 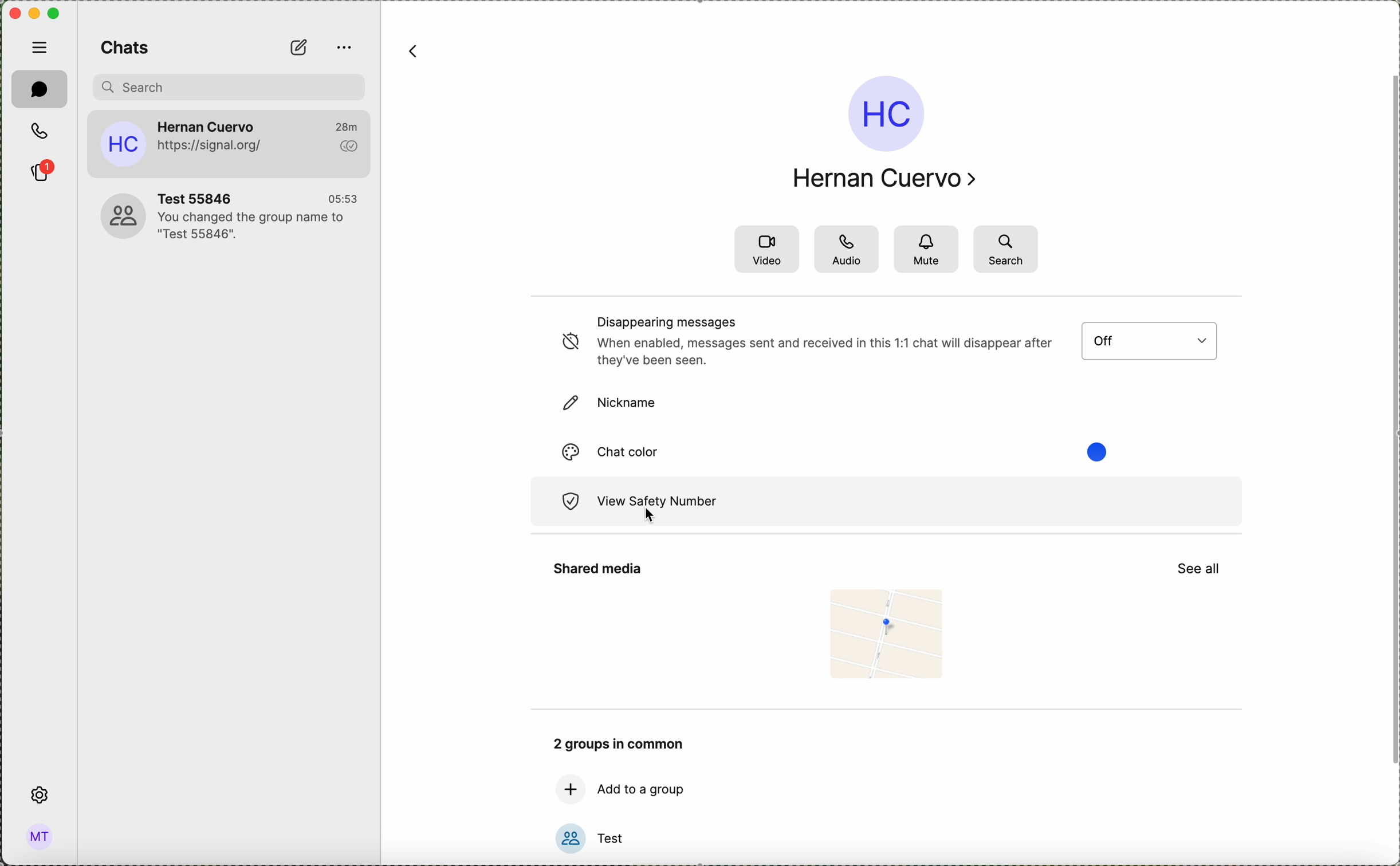 I want to click on YOu changed the group hame to
"Test 55846"., so click(x=254, y=227).